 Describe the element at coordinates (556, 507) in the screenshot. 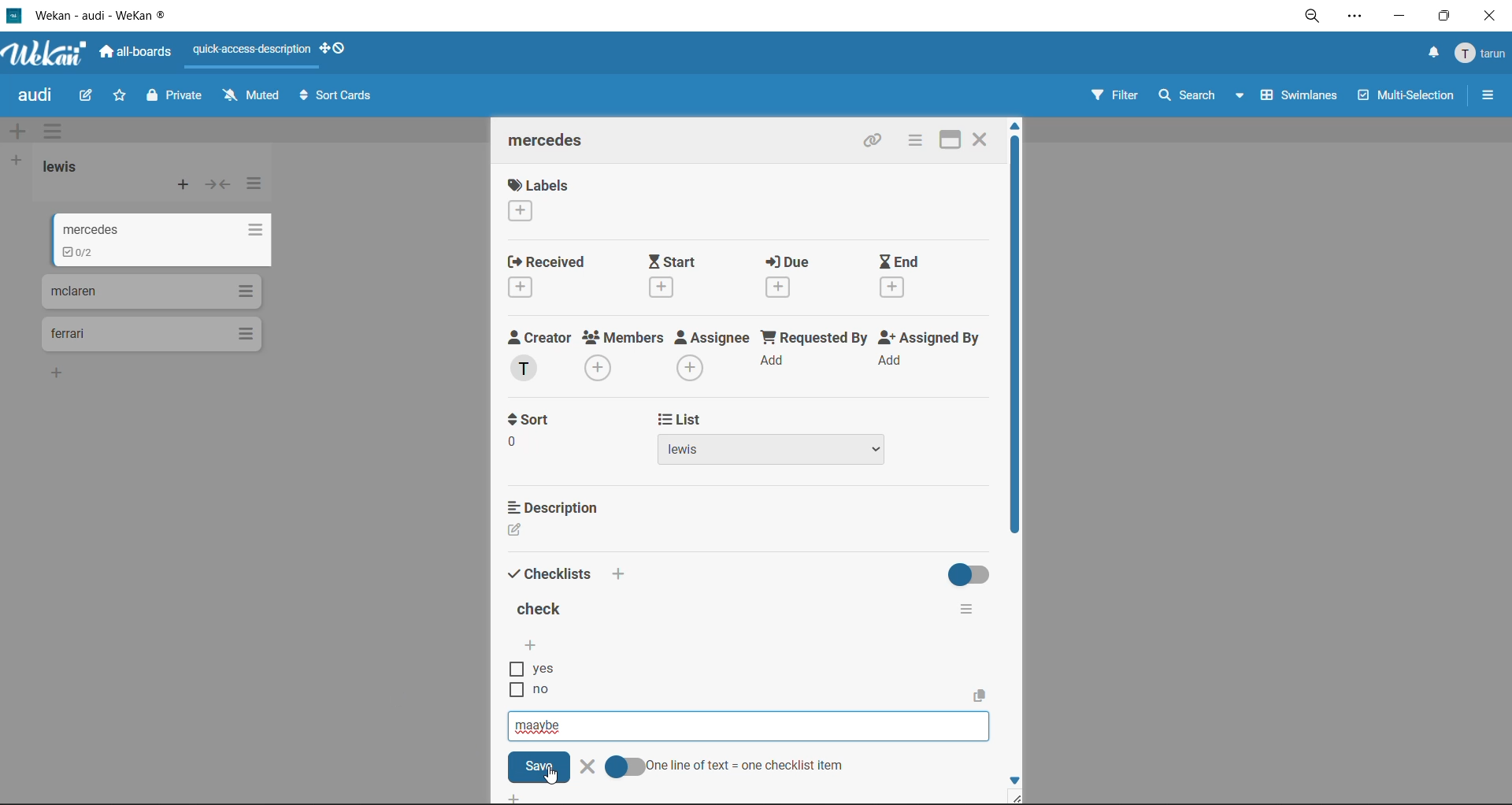

I see `description` at that location.